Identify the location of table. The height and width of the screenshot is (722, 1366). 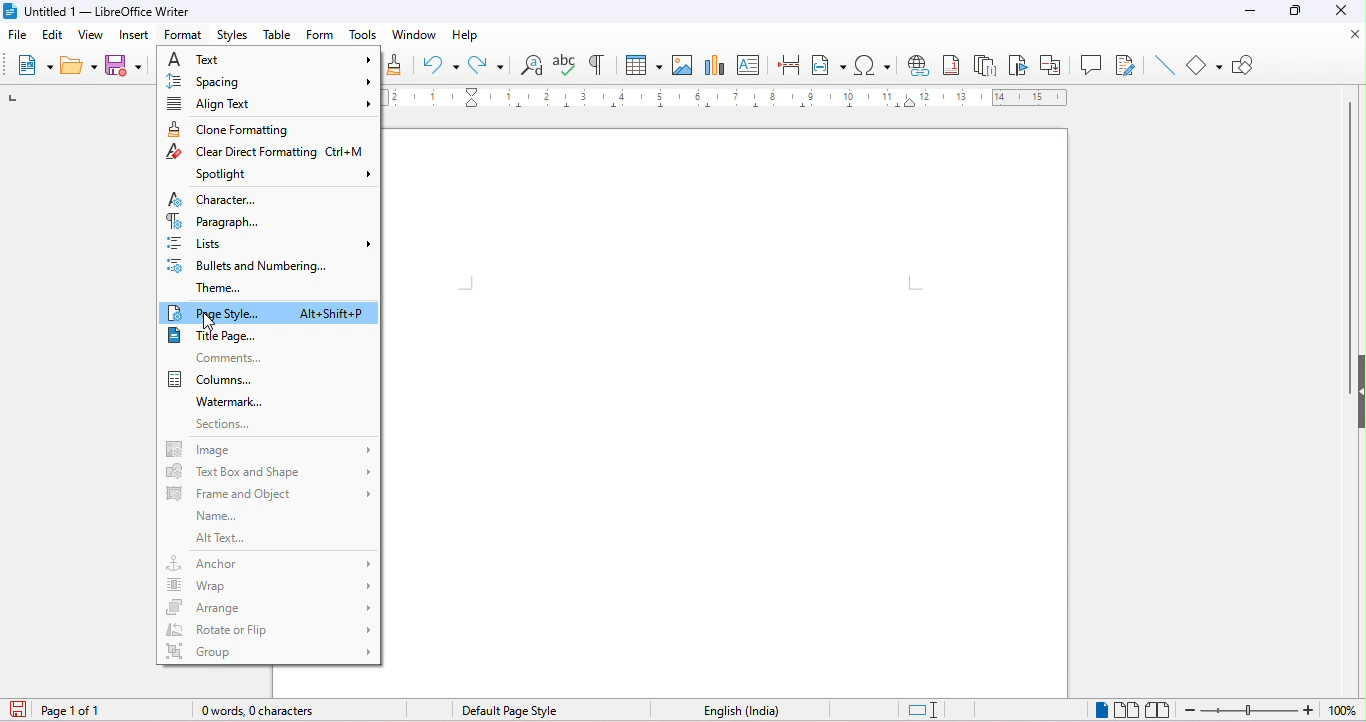
(278, 37).